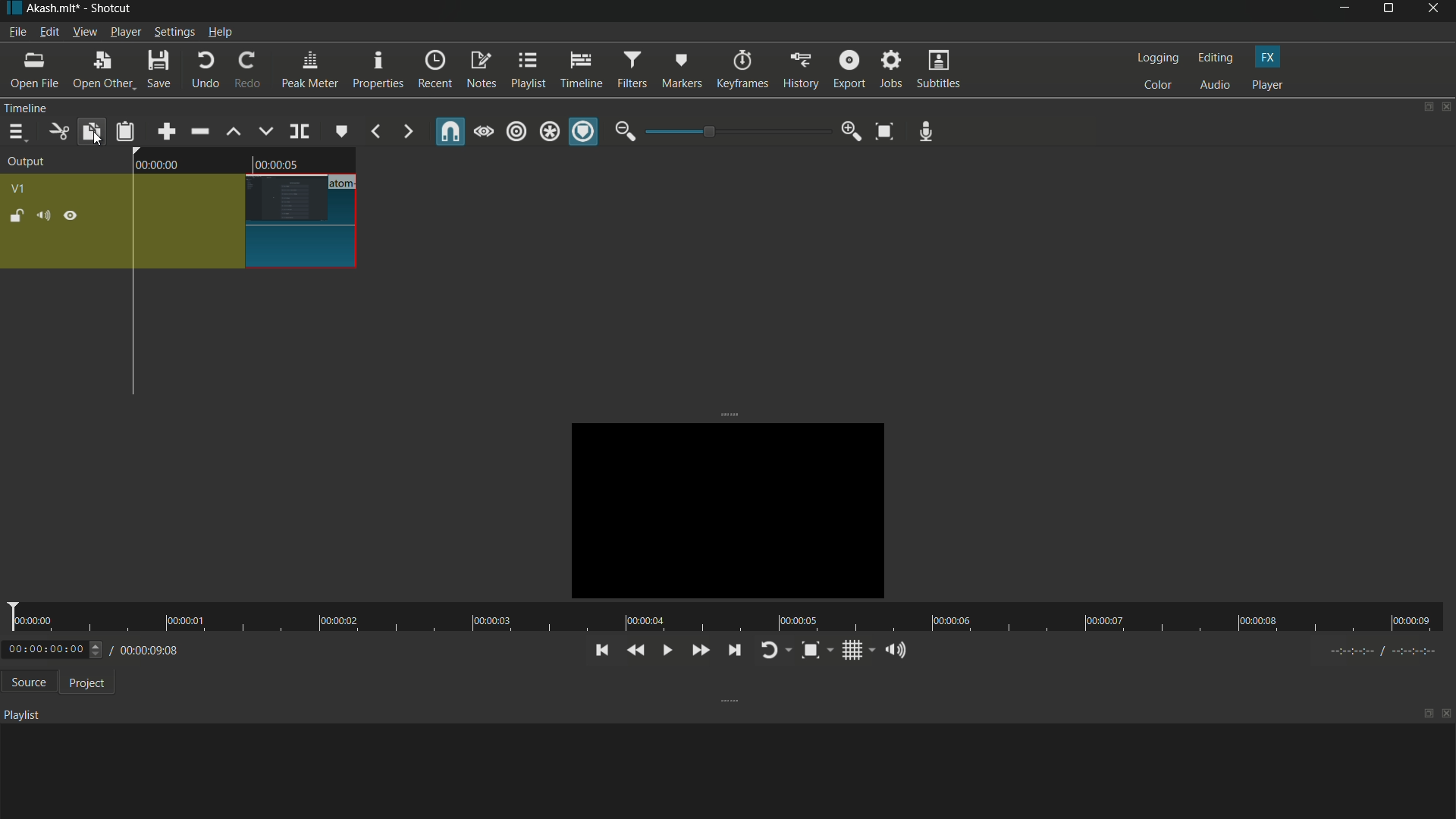  What do you see at coordinates (847, 70) in the screenshot?
I see `export` at bounding box center [847, 70].